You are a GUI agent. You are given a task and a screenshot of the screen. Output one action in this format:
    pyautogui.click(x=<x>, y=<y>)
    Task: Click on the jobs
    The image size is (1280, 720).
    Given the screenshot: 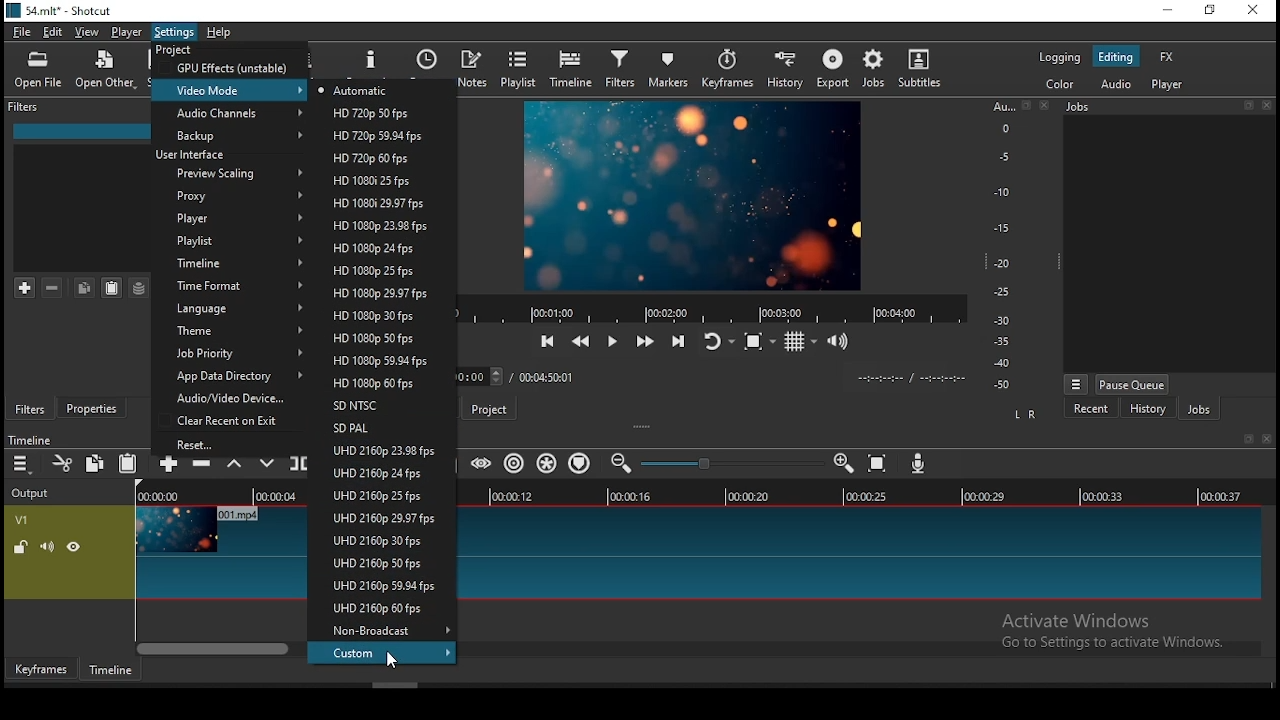 What is the action you would take?
    pyautogui.click(x=875, y=68)
    